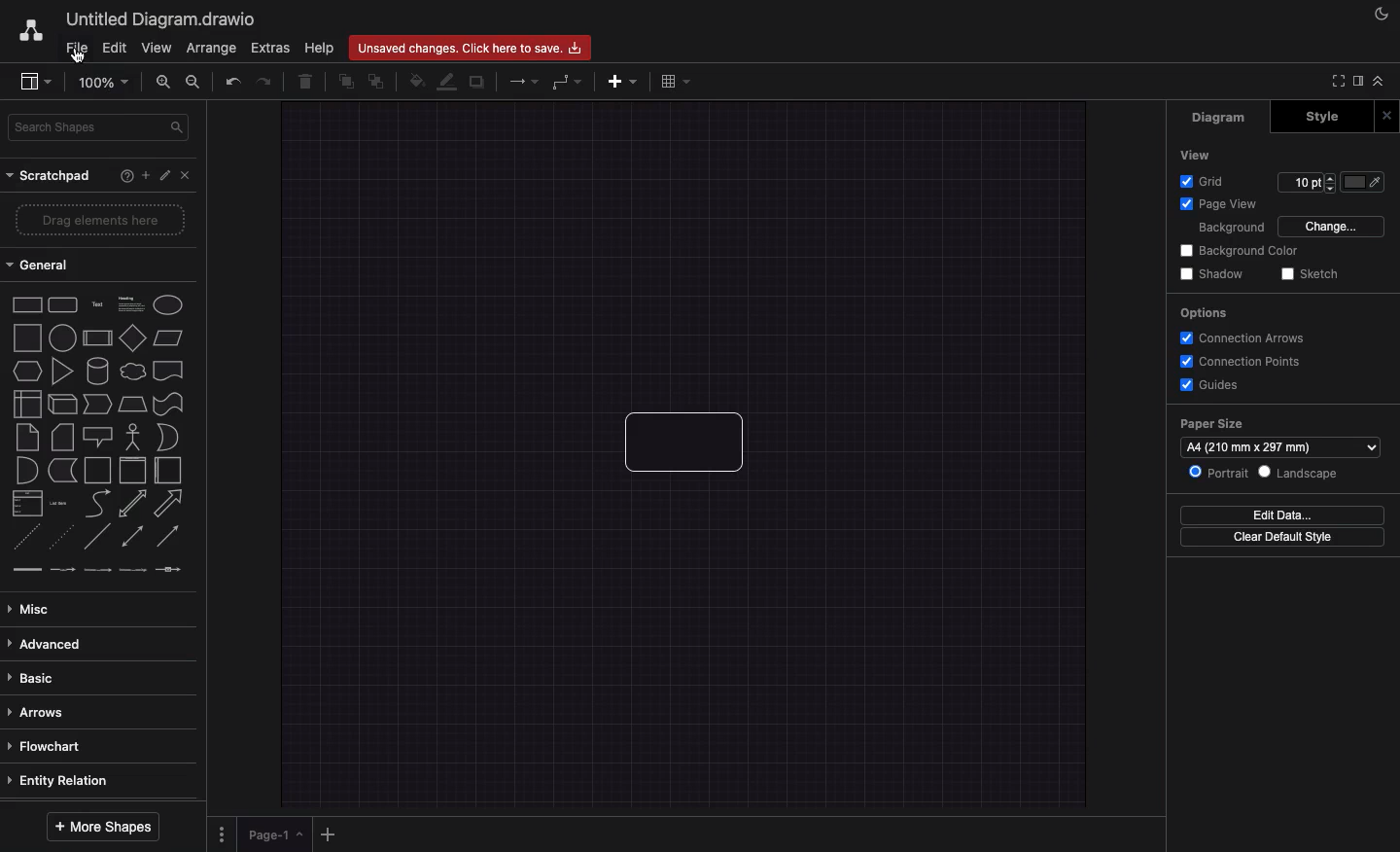  What do you see at coordinates (1334, 117) in the screenshot?
I see `Style` at bounding box center [1334, 117].